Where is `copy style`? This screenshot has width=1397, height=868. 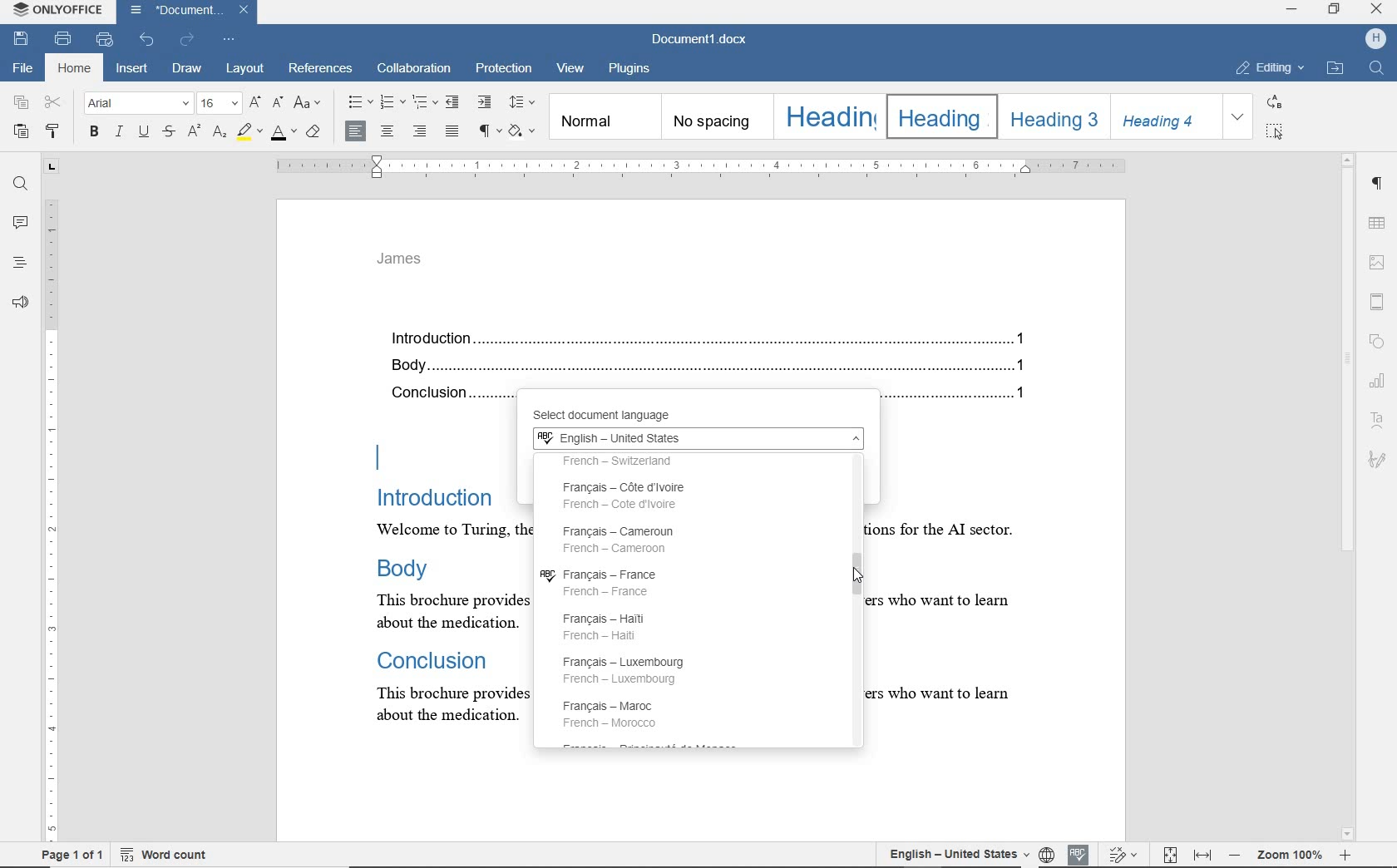
copy style is located at coordinates (57, 133).